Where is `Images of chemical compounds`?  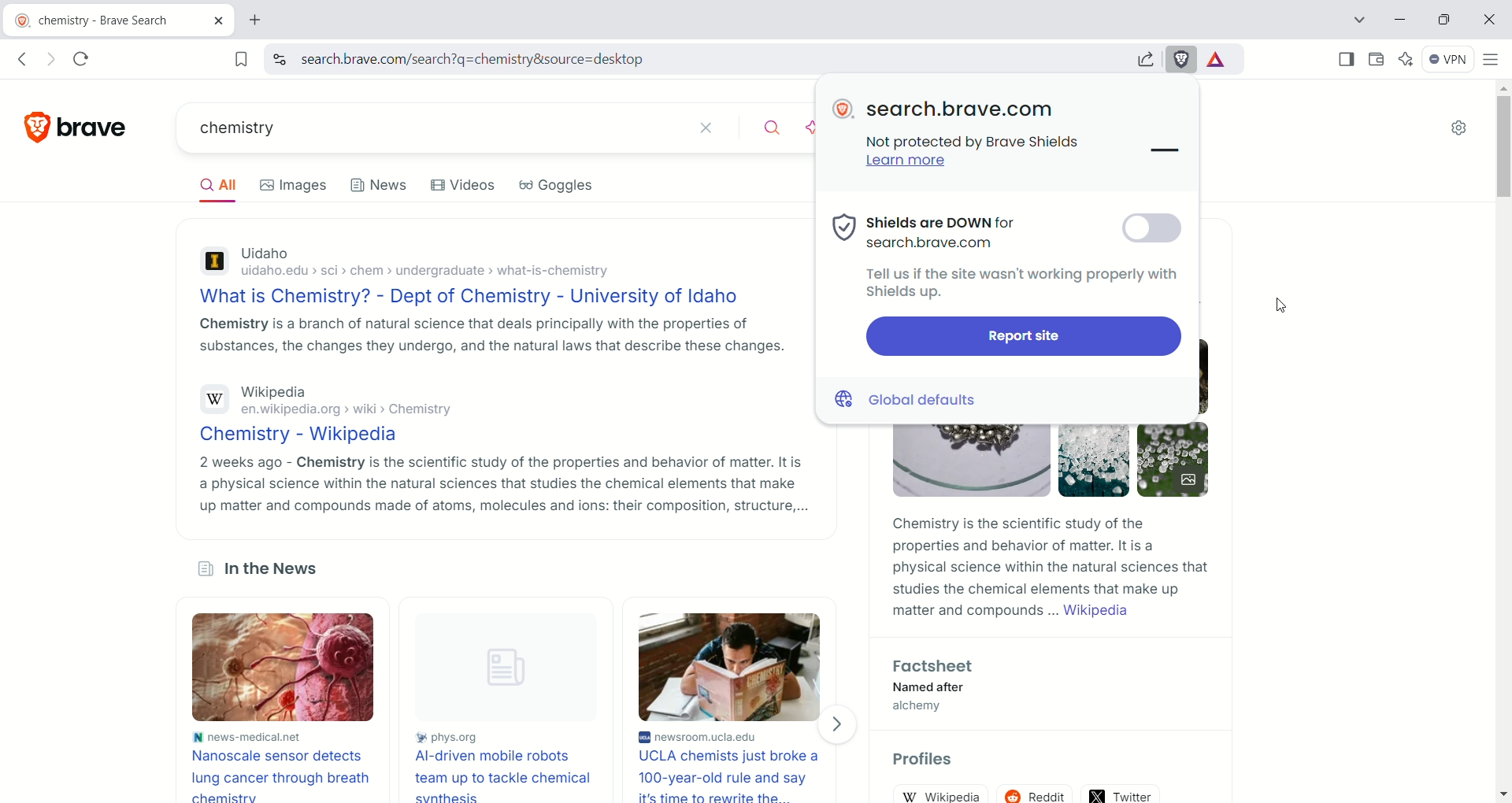
Images of chemical compounds is located at coordinates (1046, 466).